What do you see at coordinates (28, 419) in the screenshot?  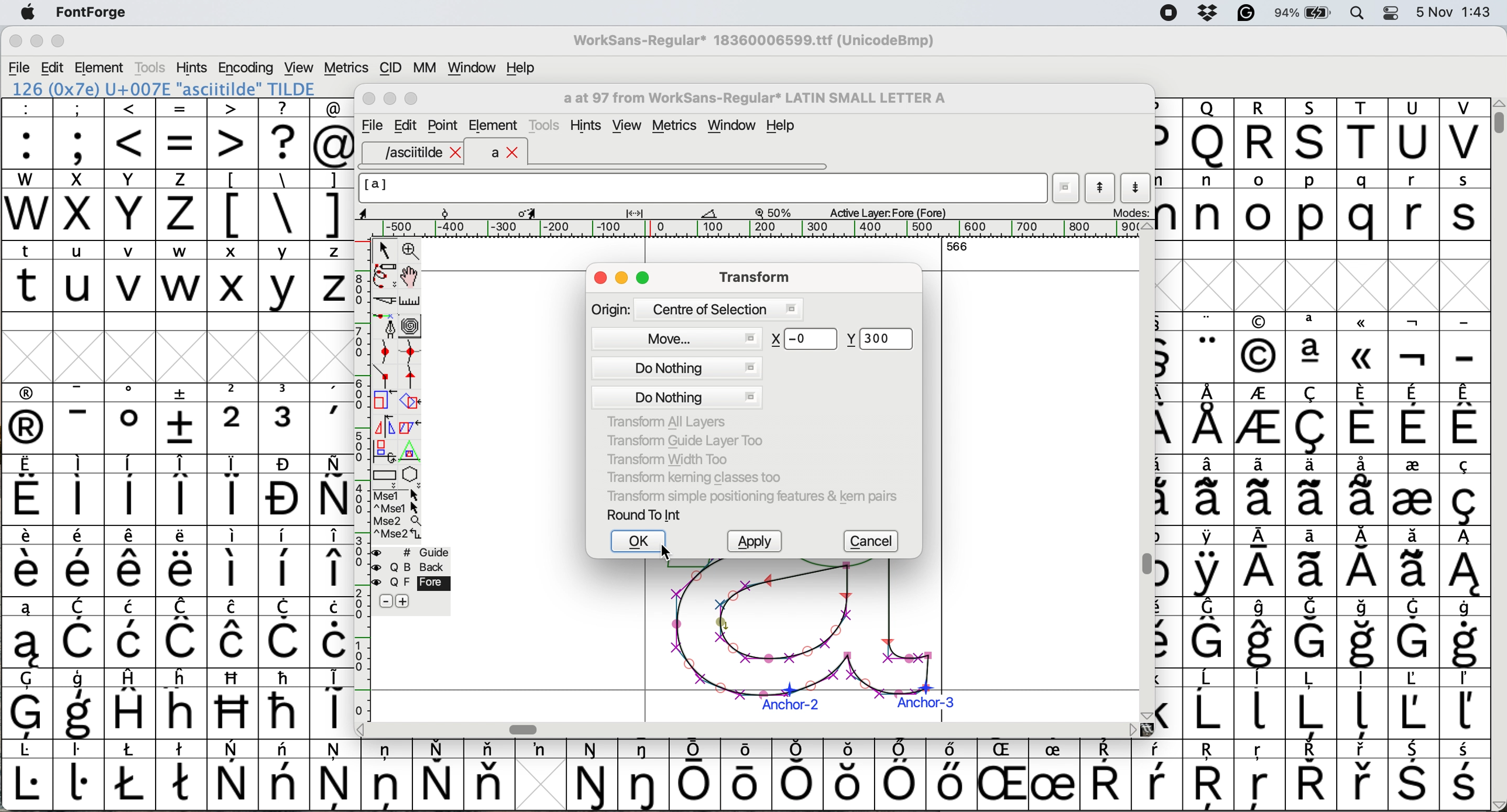 I see `symbol` at bounding box center [28, 419].